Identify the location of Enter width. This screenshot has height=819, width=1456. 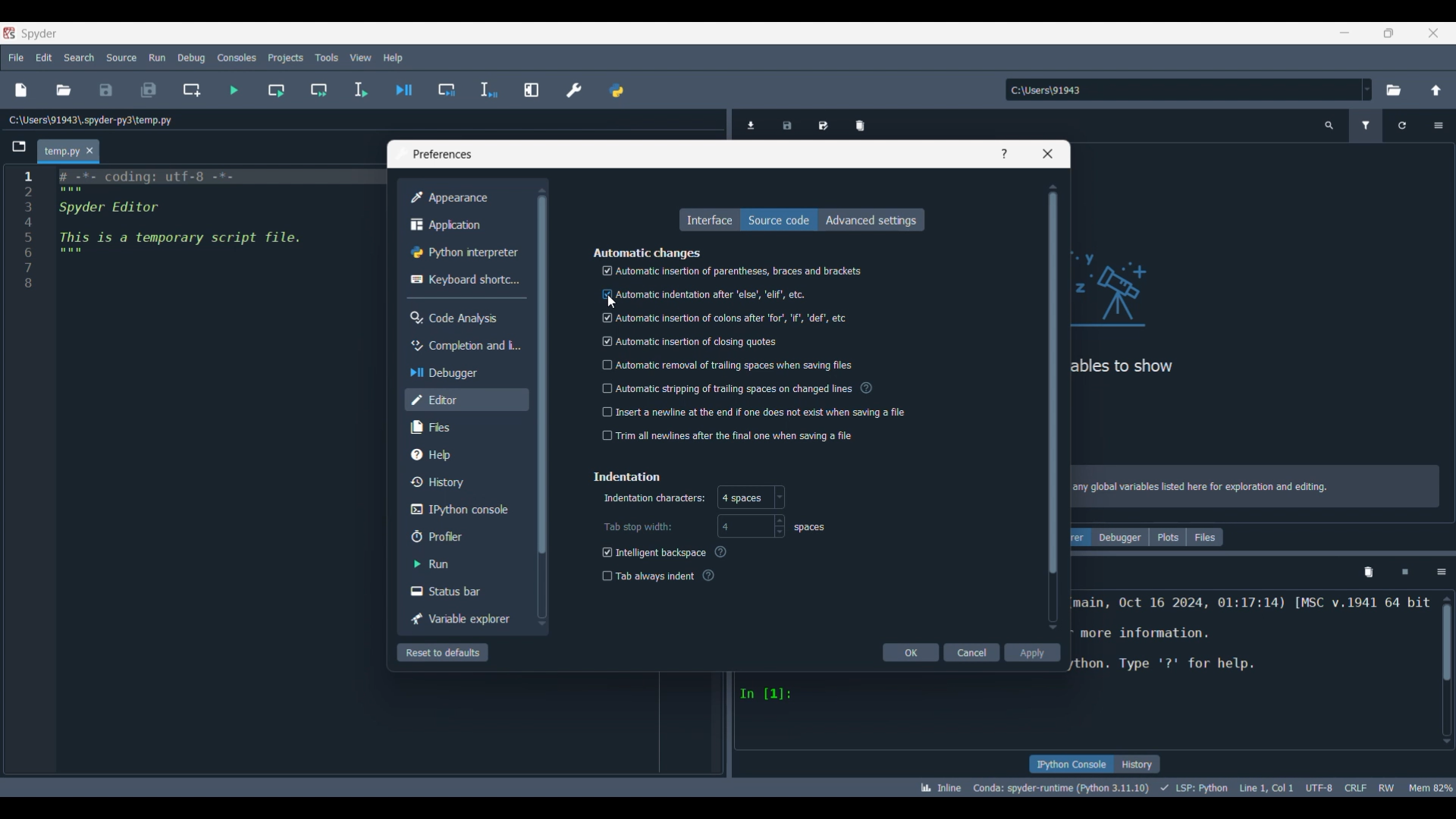
(744, 526).